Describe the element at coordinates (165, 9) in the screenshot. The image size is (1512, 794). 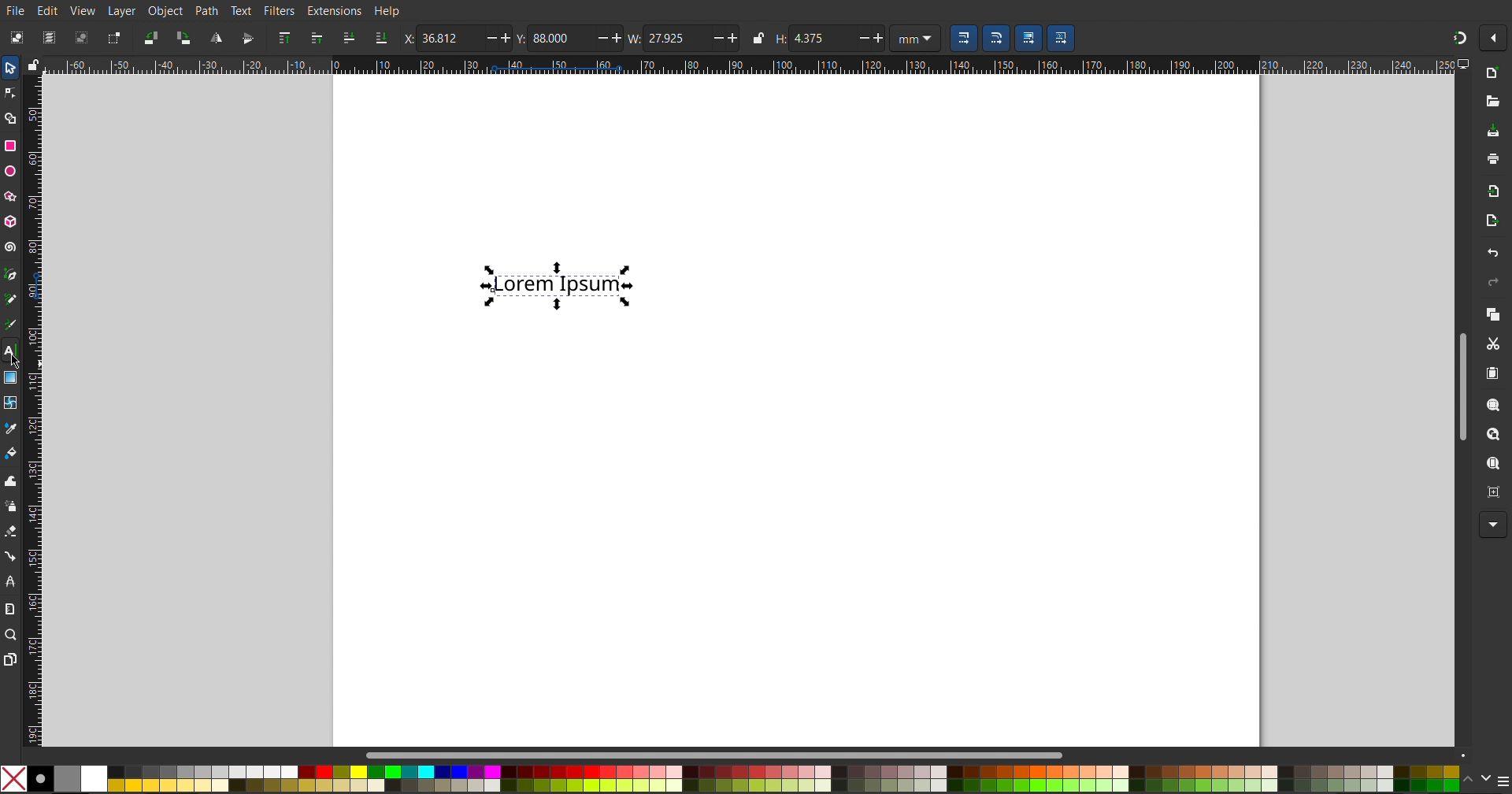
I see `Object` at that location.